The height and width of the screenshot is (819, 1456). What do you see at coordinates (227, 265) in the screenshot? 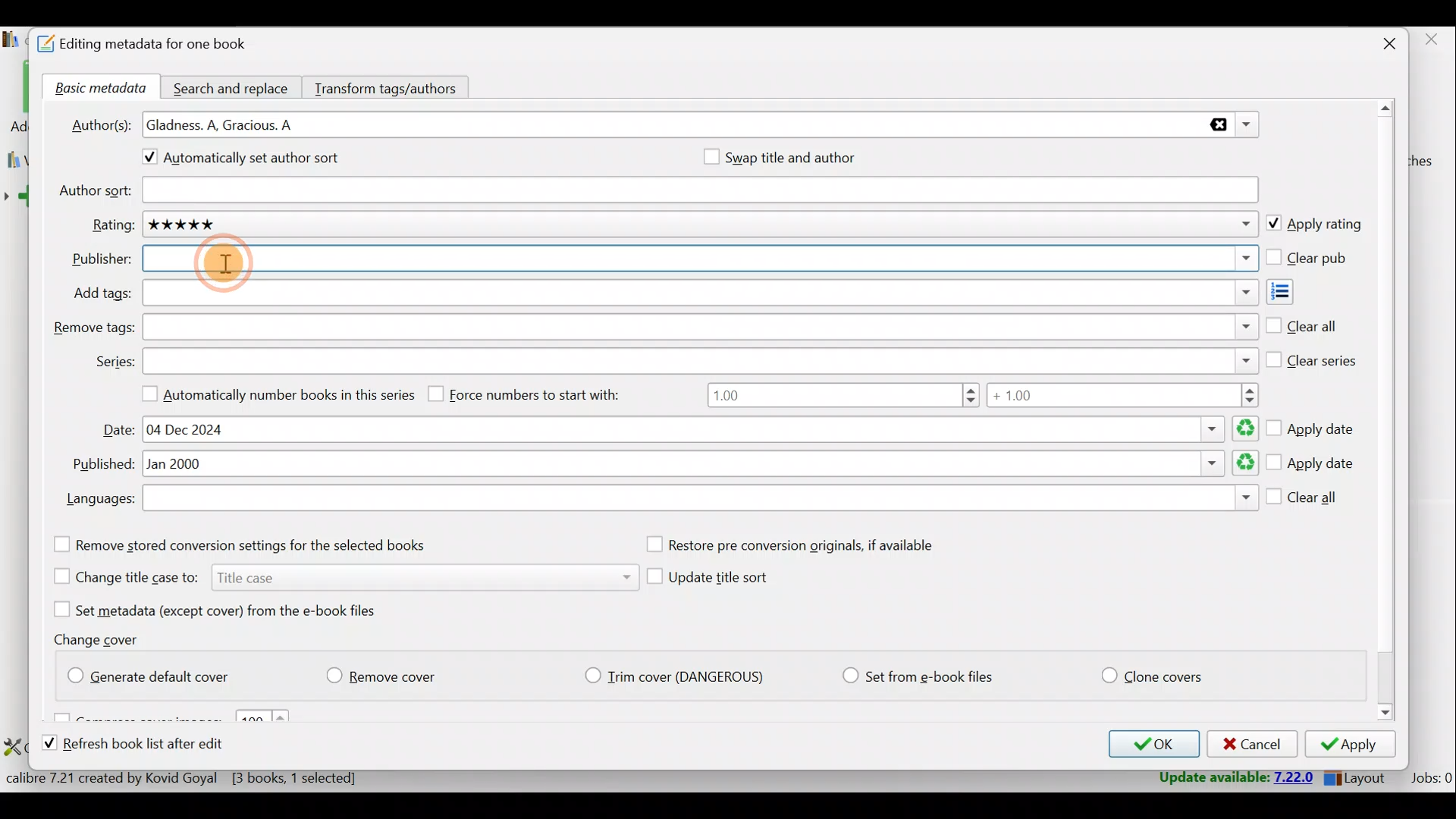
I see `Cursor` at bounding box center [227, 265].